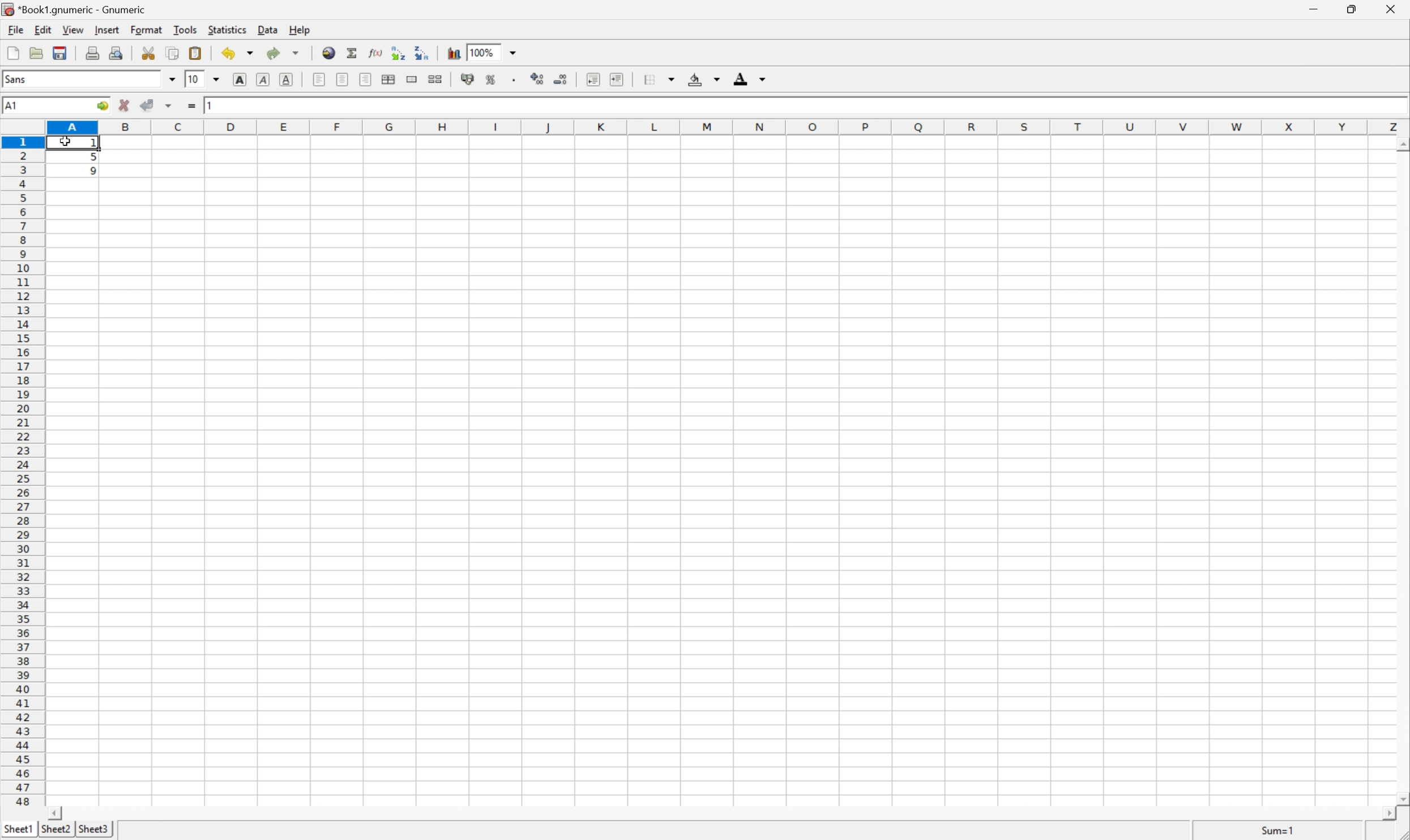 The image size is (1410, 840). I want to click on format selection as accounting, so click(468, 79).